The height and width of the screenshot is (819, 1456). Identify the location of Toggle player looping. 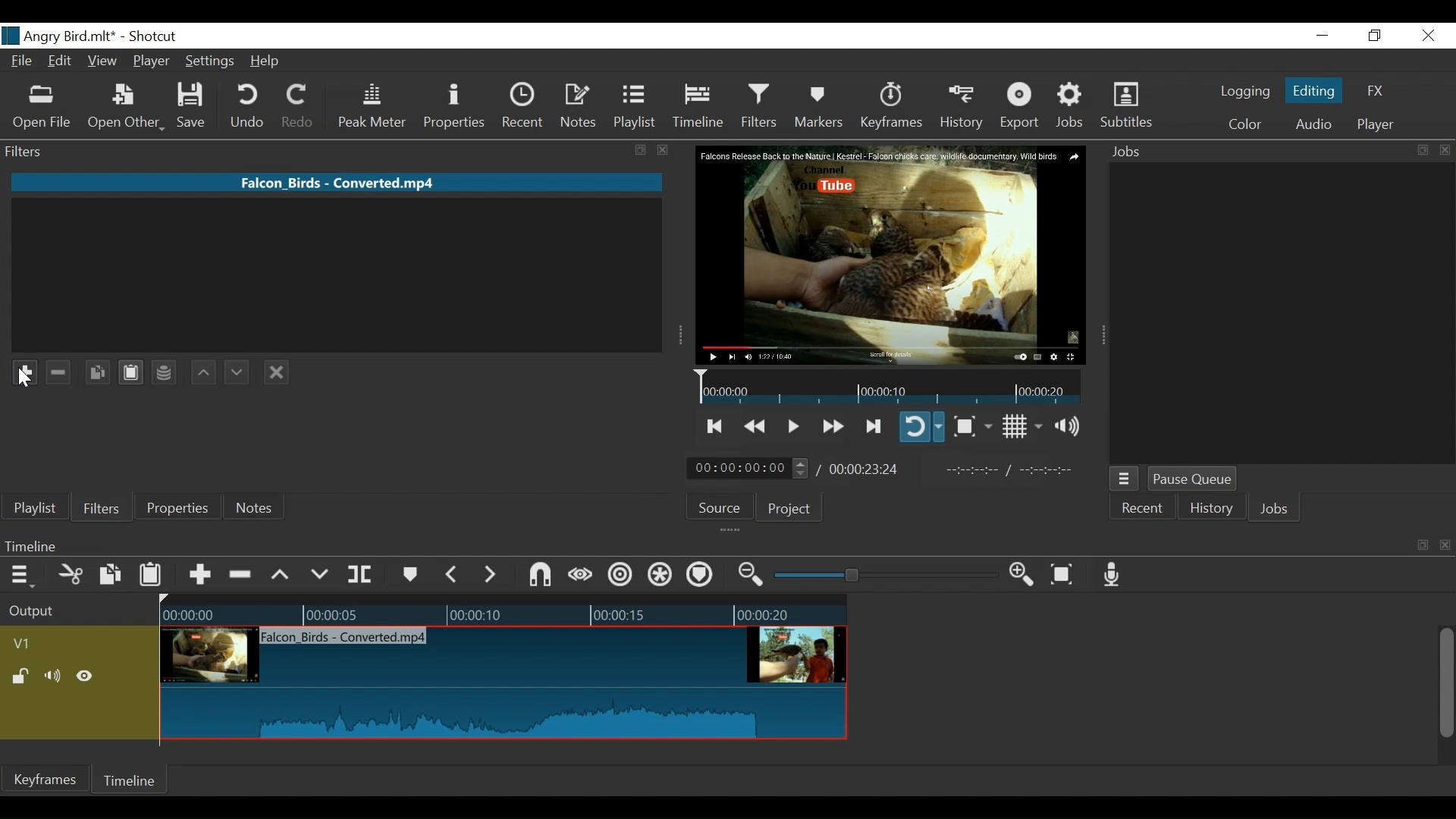
(921, 426).